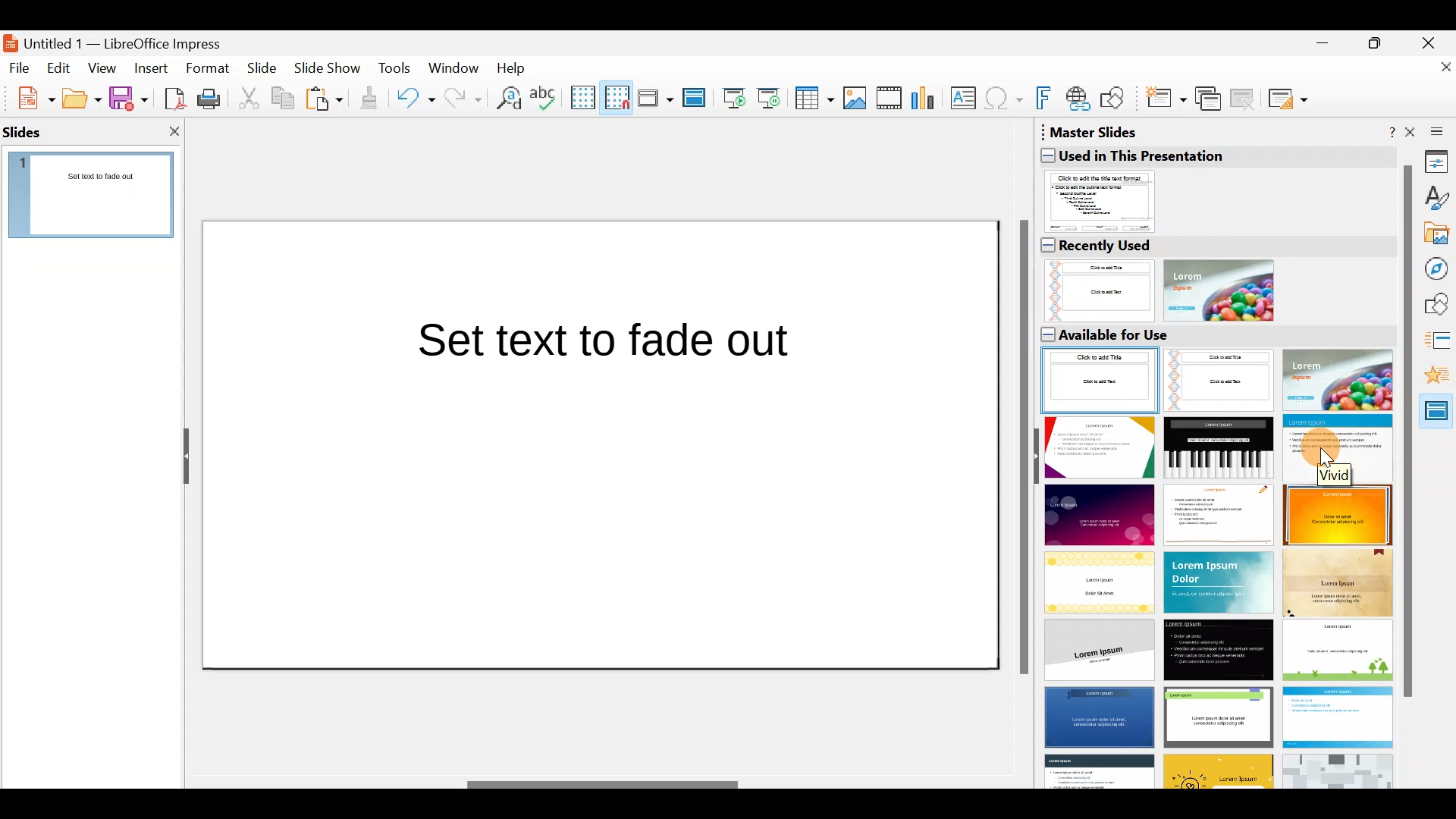  What do you see at coordinates (966, 99) in the screenshot?
I see `Insert text box` at bounding box center [966, 99].